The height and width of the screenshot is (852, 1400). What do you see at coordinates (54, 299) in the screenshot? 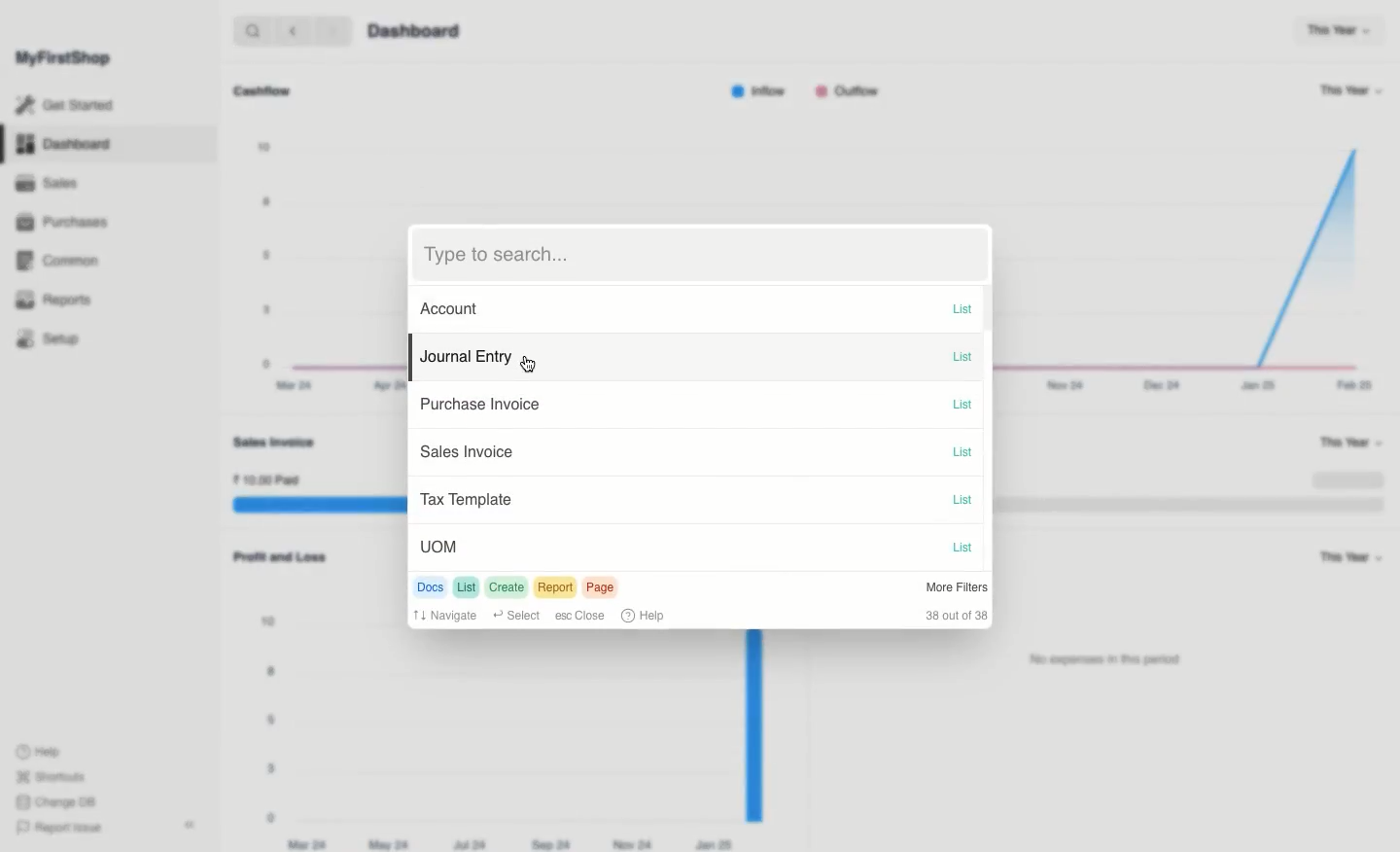
I see `Reports` at bounding box center [54, 299].